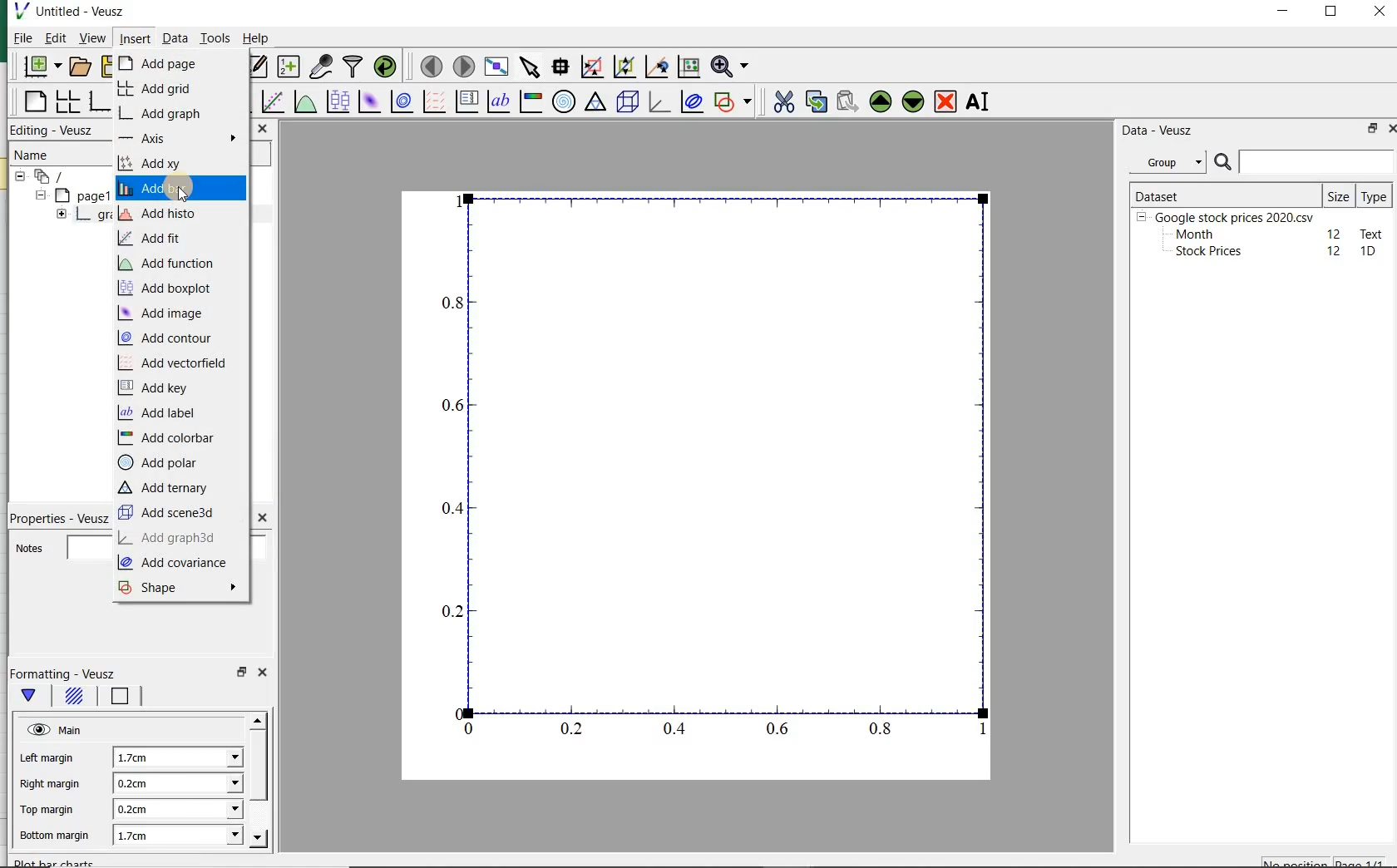  Describe the element at coordinates (1193, 234) in the screenshot. I see `Month` at that location.